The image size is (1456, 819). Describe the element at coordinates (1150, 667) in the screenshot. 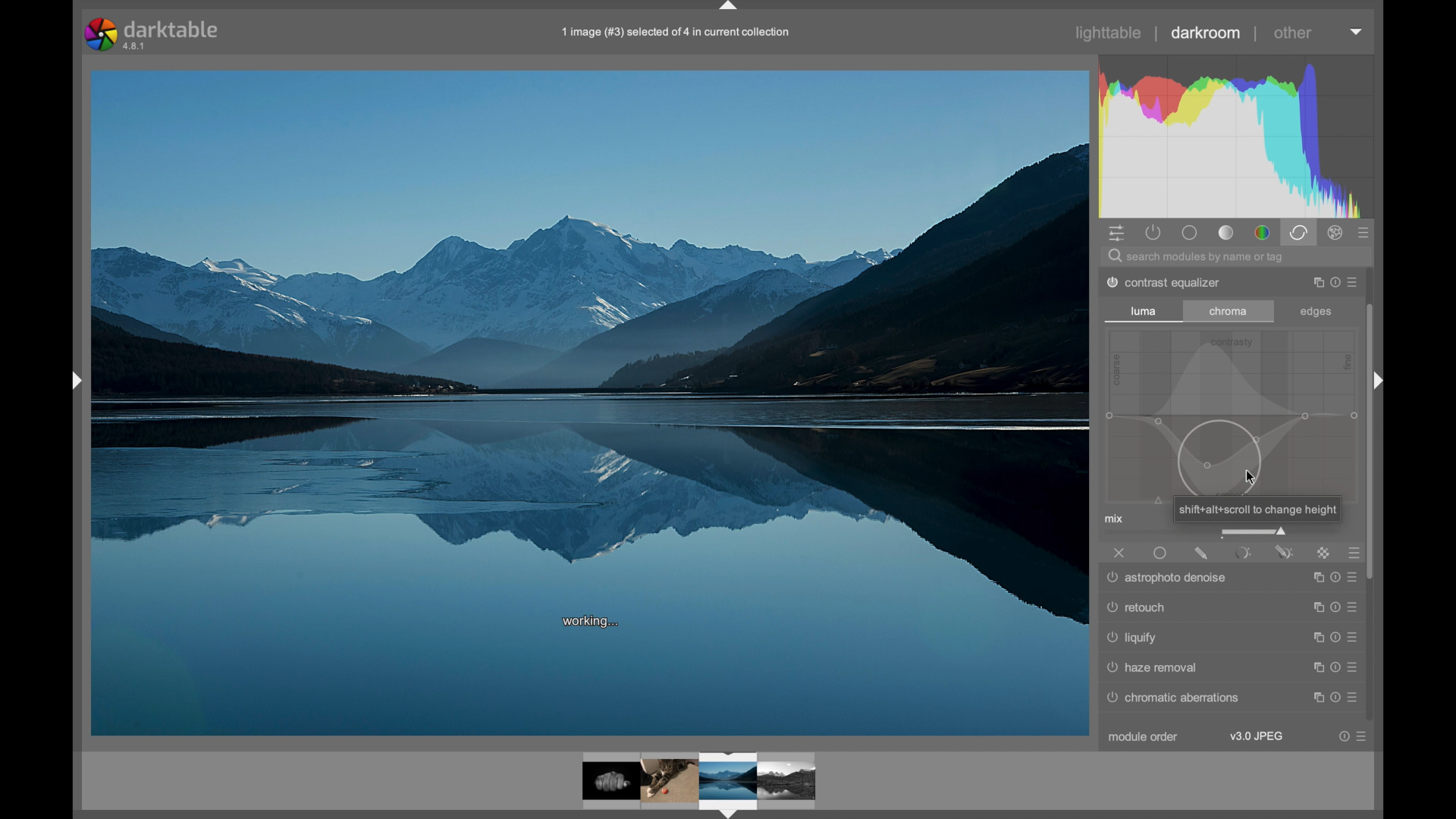

I see `raw denoise` at that location.